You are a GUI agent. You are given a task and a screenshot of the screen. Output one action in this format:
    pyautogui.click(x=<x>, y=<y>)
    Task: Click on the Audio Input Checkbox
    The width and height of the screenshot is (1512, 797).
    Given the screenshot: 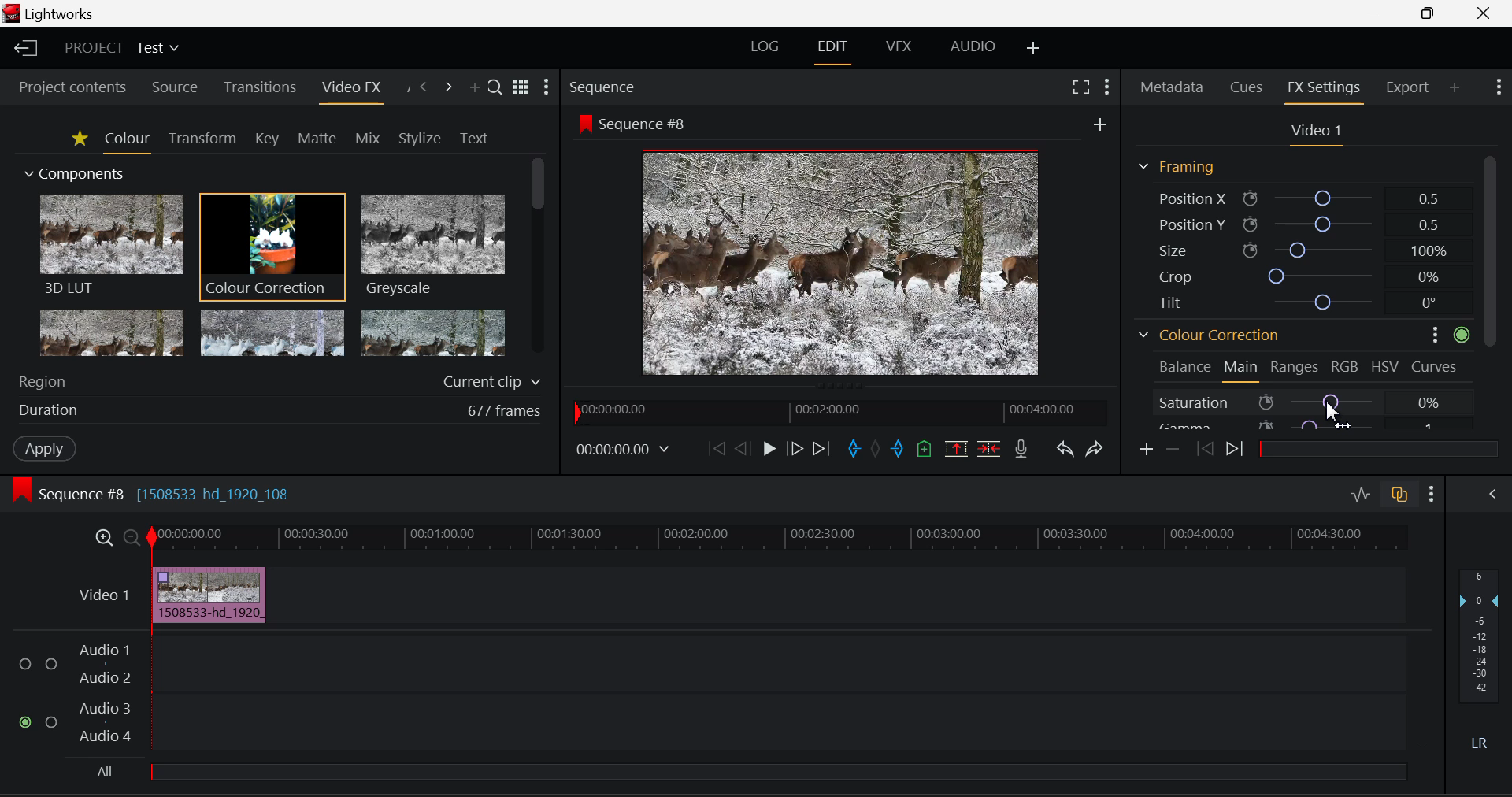 What is the action you would take?
    pyautogui.click(x=24, y=665)
    